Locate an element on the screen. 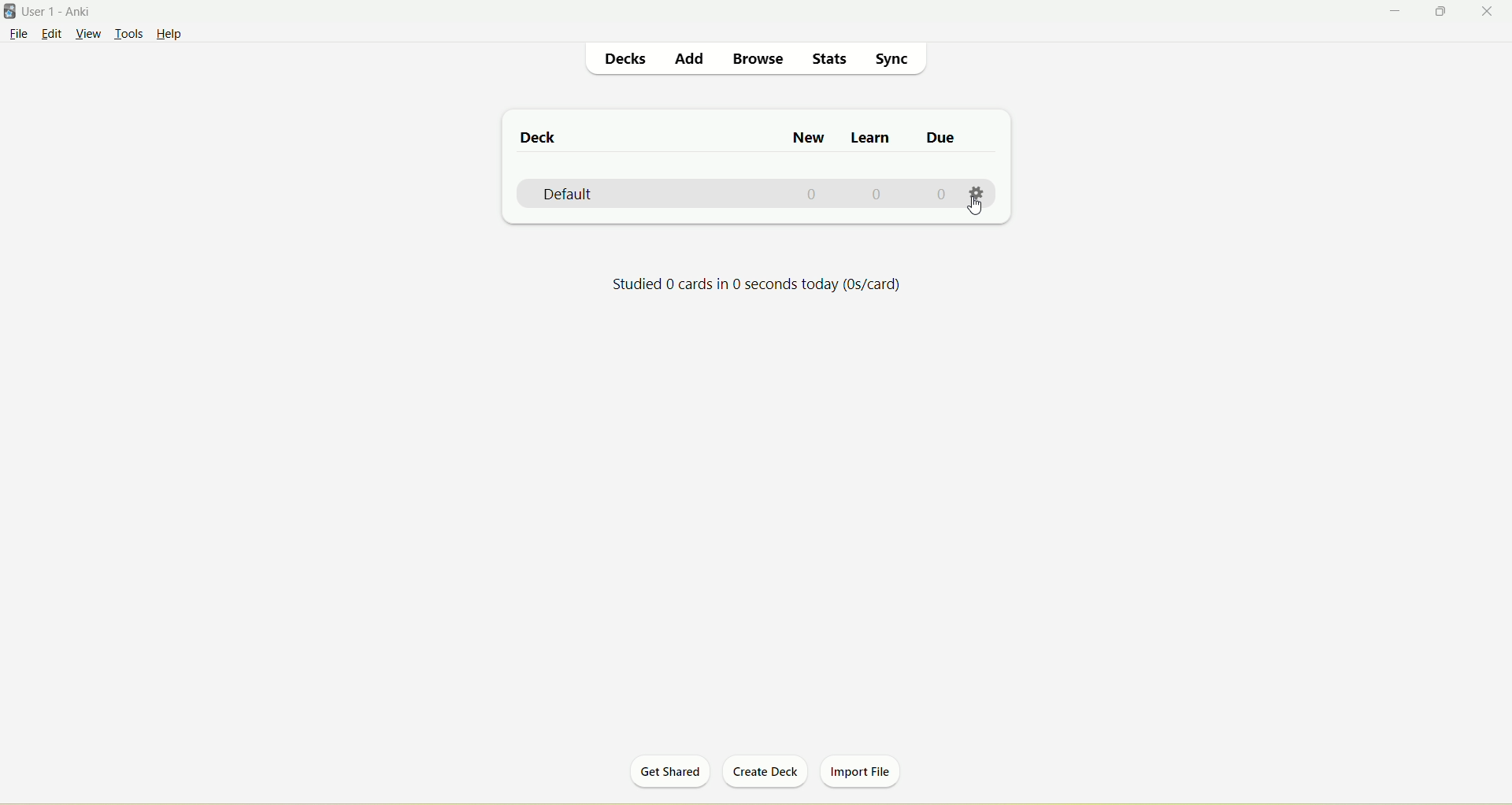 The height and width of the screenshot is (805, 1512). 0 is located at coordinates (811, 195).